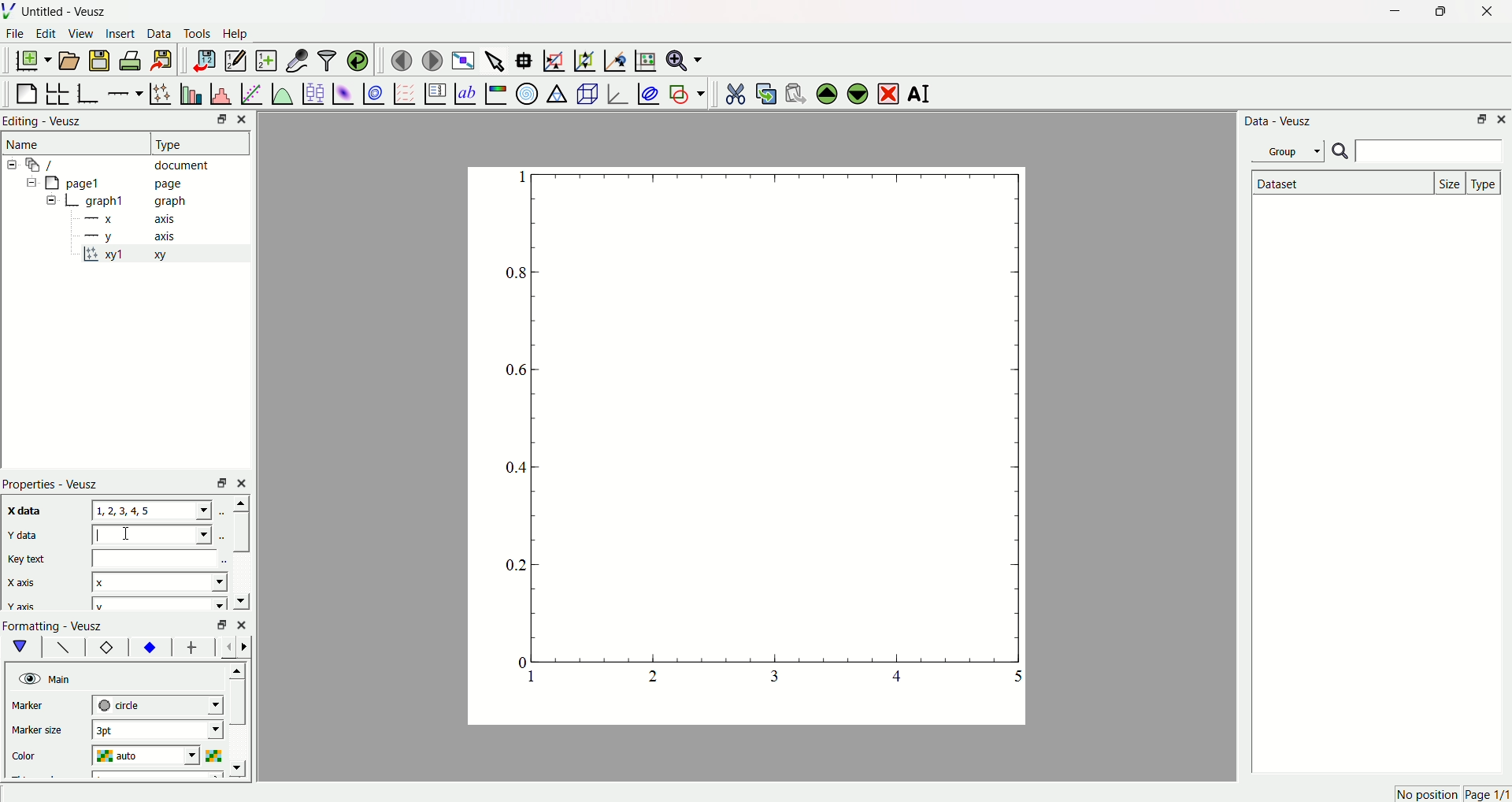 This screenshot has width=1512, height=802. What do you see at coordinates (198, 35) in the screenshot?
I see `Tools` at bounding box center [198, 35].